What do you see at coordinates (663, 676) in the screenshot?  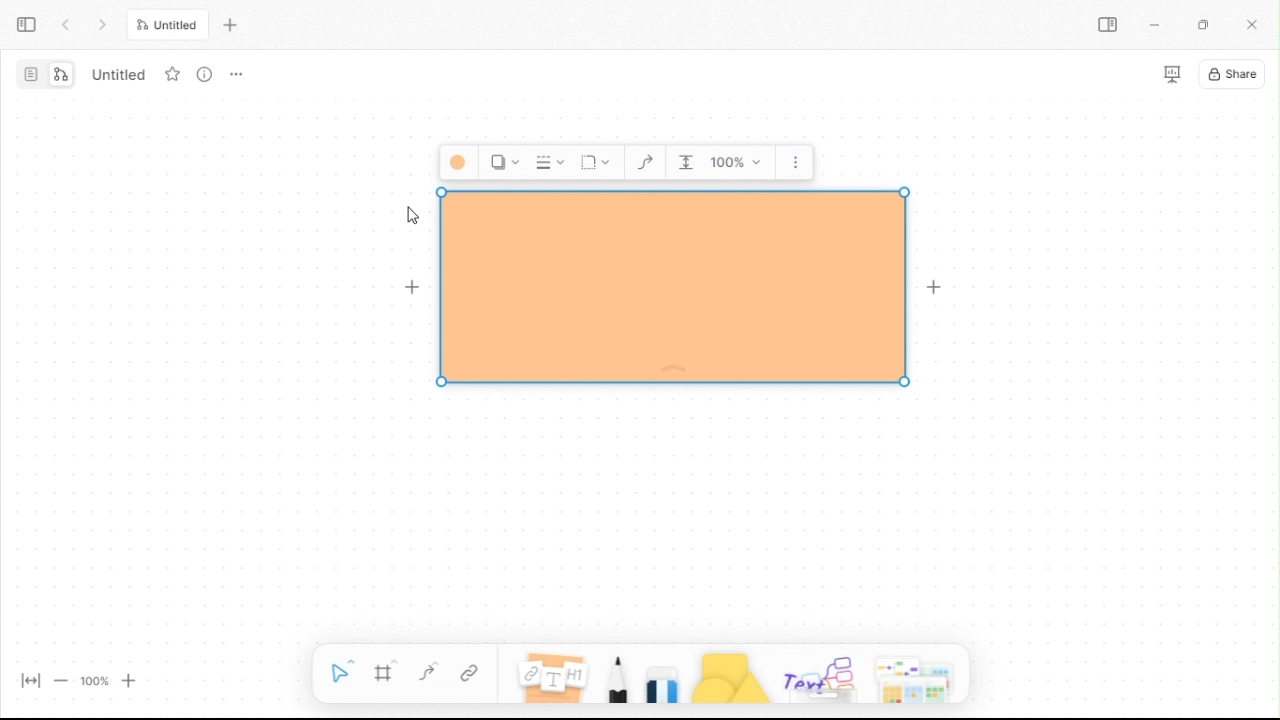 I see `eraser` at bounding box center [663, 676].